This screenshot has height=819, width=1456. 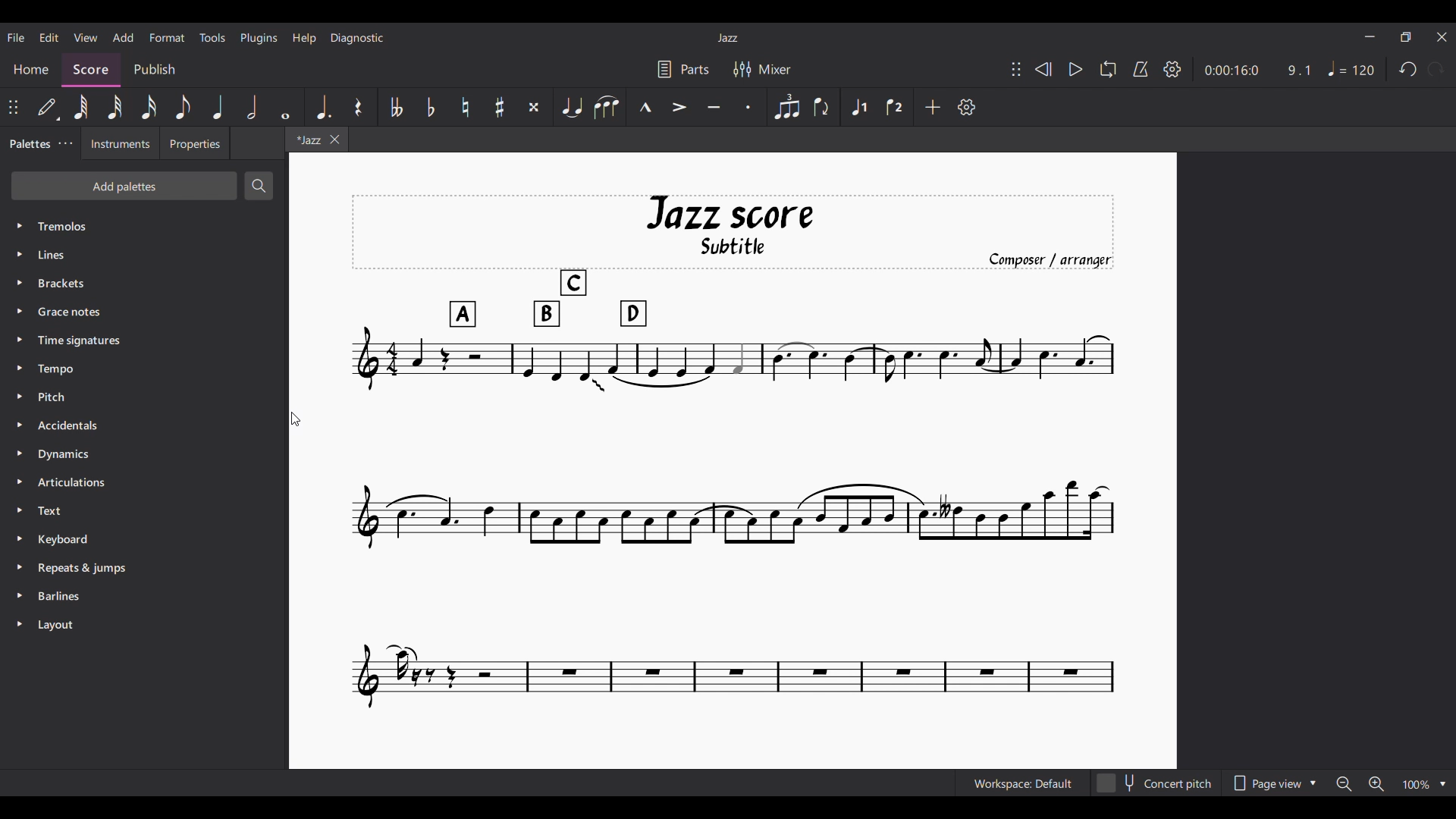 What do you see at coordinates (115, 107) in the screenshot?
I see `32nd note` at bounding box center [115, 107].